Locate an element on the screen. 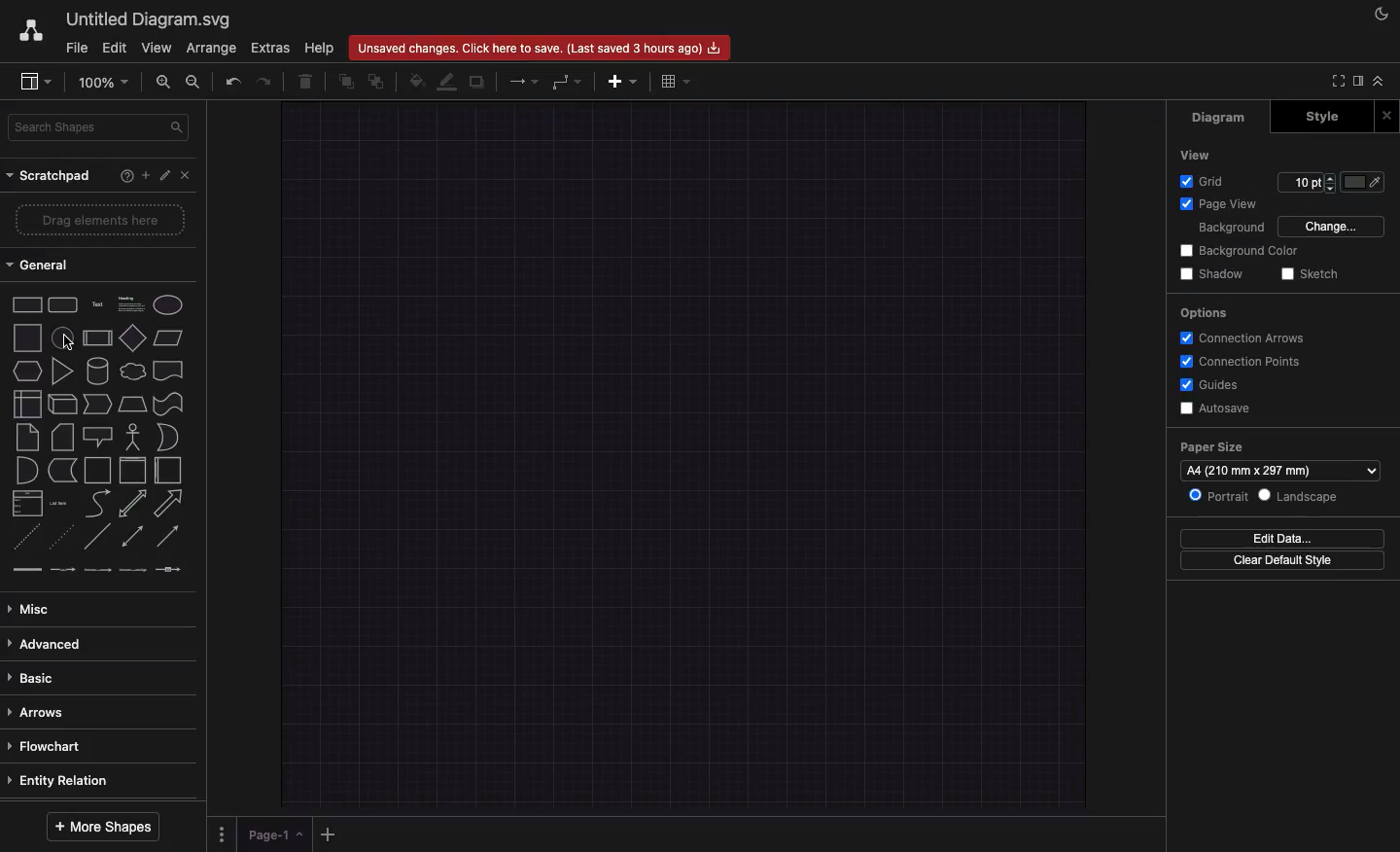 Image resolution: width=1400 pixels, height=852 pixels. Undo is located at coordinates (232, 79).